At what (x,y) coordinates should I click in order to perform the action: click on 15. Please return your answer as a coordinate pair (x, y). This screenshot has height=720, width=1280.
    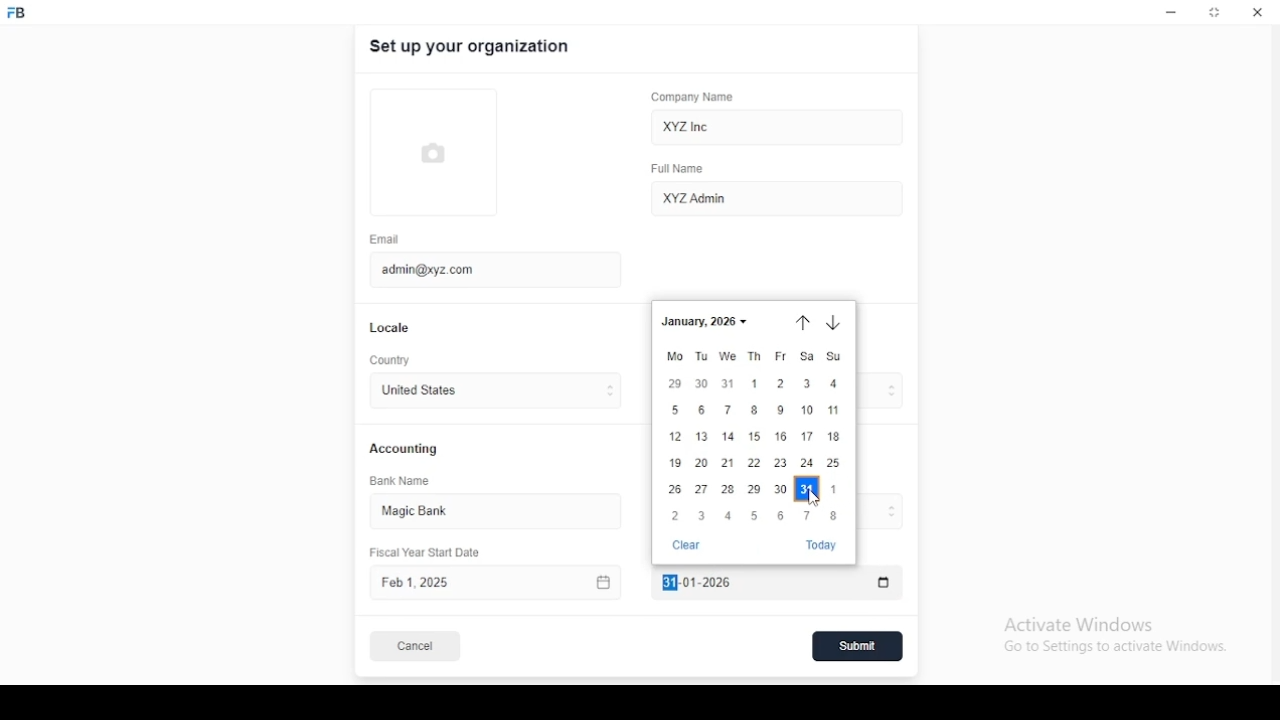
    Looking at the image, I should click on (755, 437).